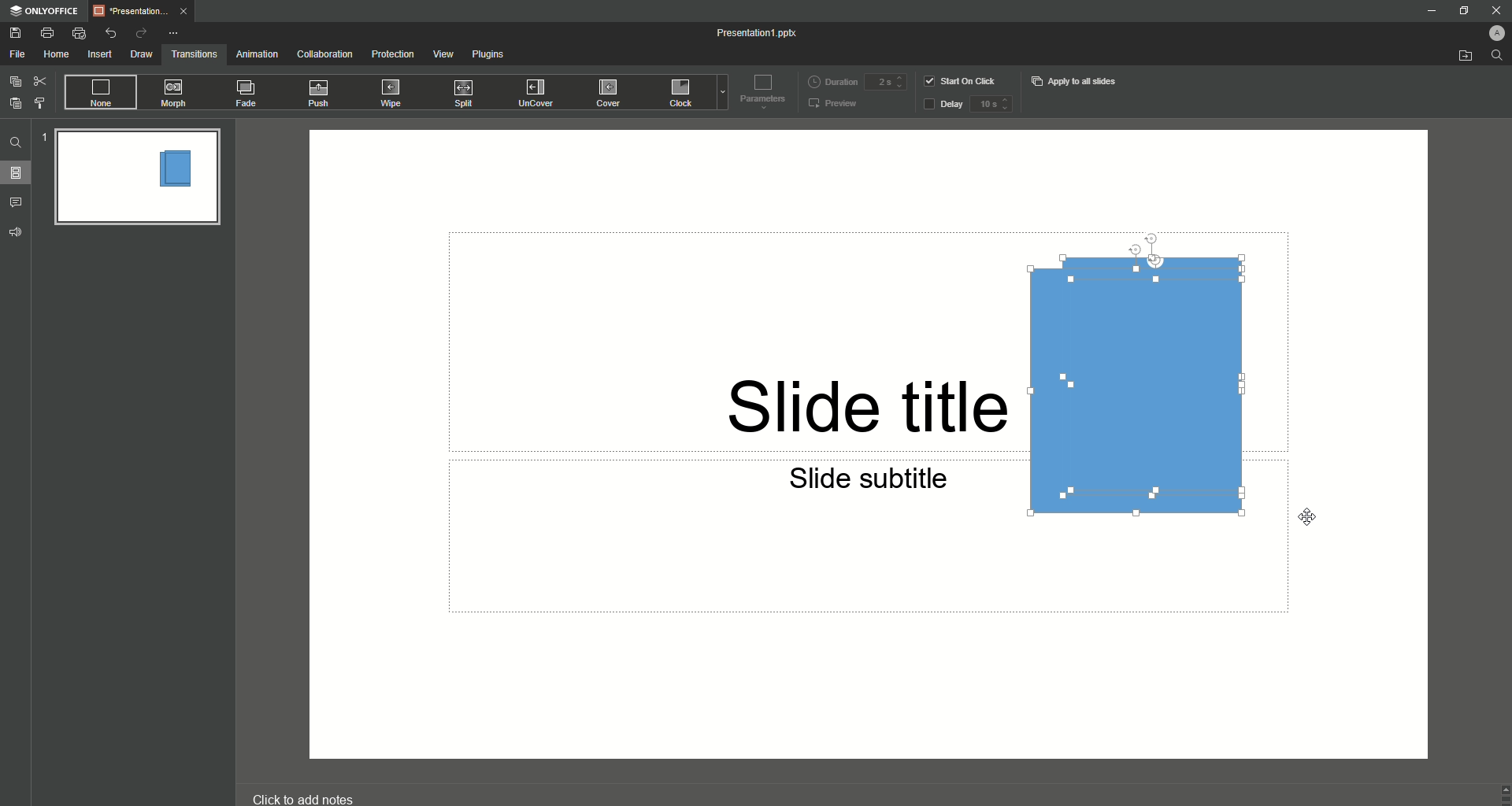  What do you see at coordinates (1460, 11) in the screenshot?
I see `Restore` at bounding box center [1460, 11].